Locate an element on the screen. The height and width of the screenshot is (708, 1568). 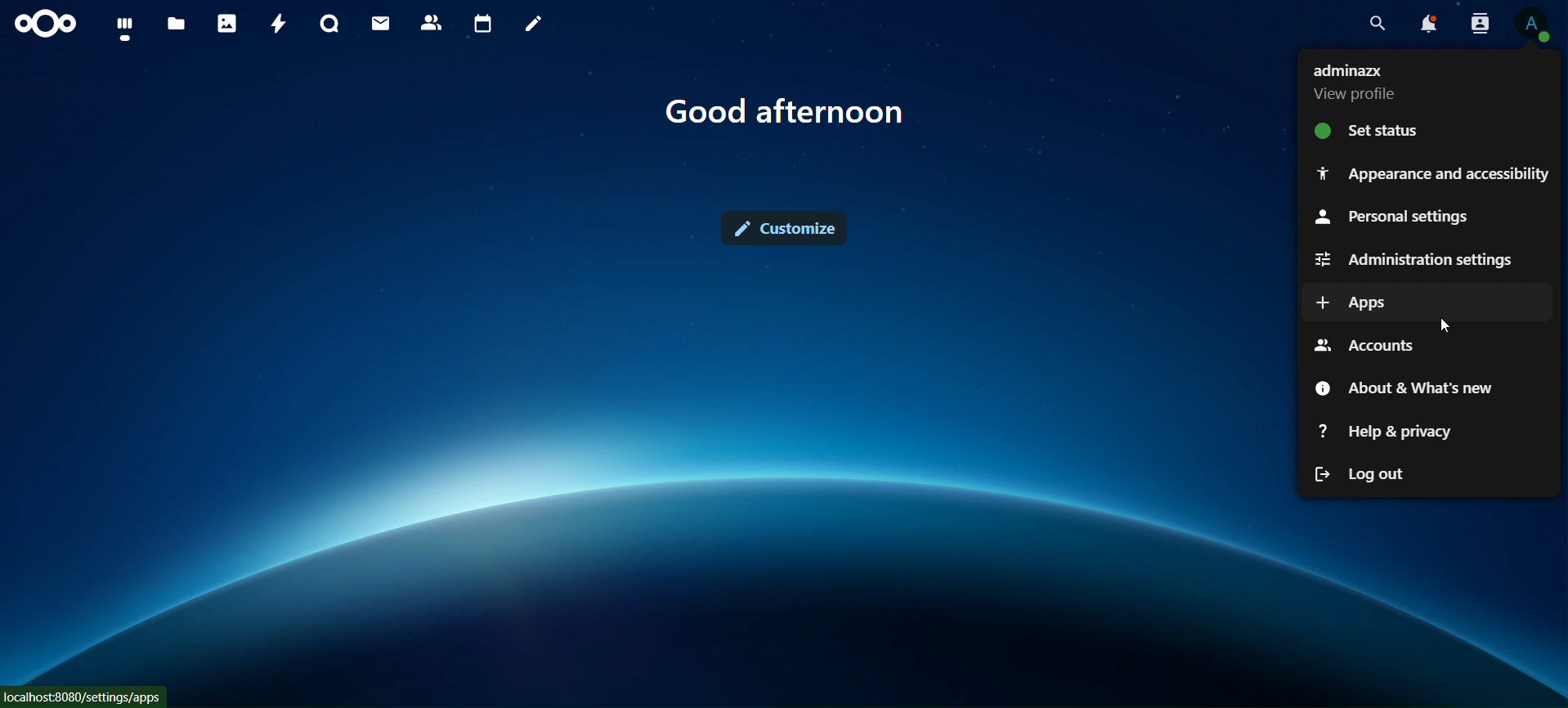
mail is located at coordinates (383, 25).